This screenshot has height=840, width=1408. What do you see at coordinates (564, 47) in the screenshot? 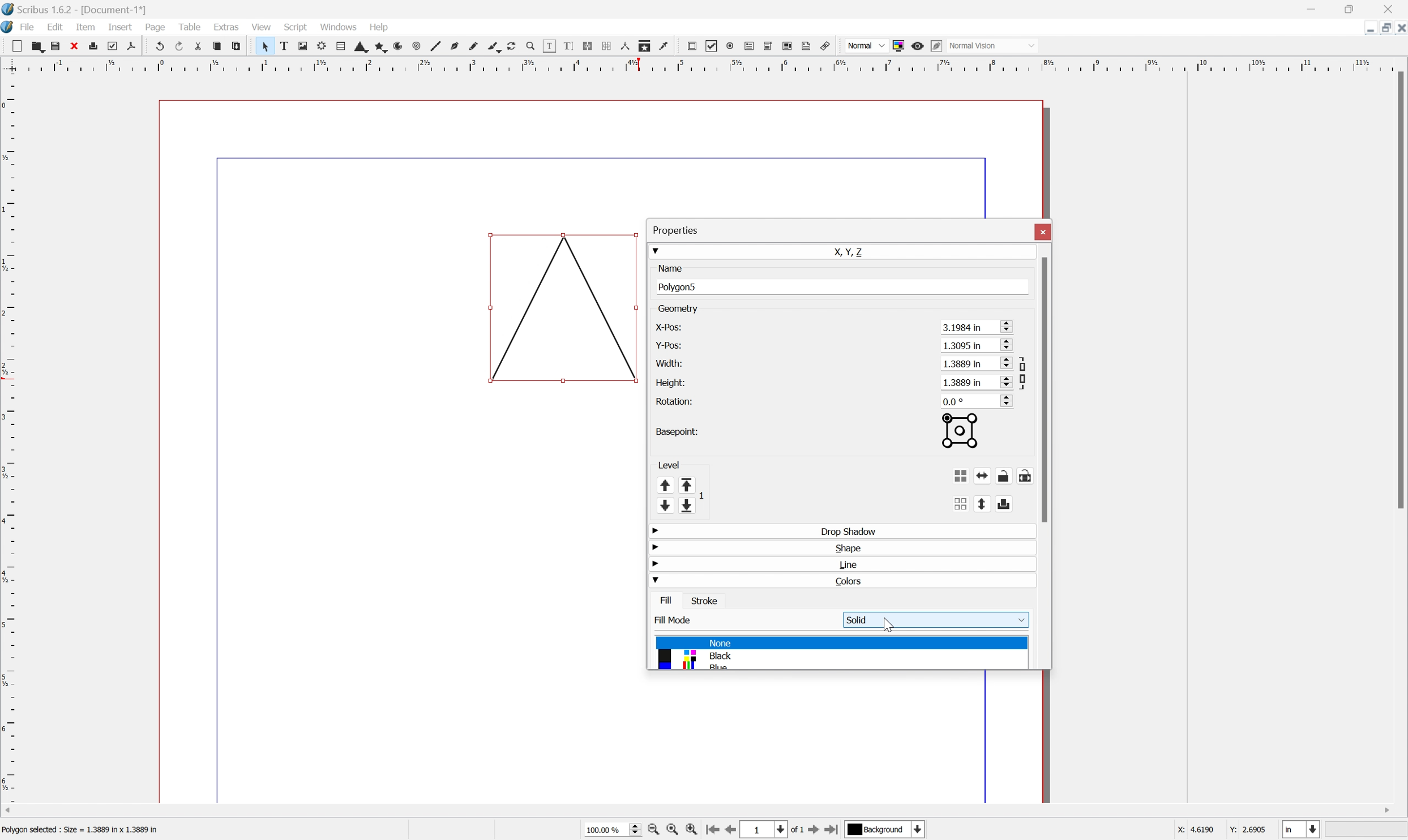
I see `Edit text with story editor` at bounding box center [564, 47].